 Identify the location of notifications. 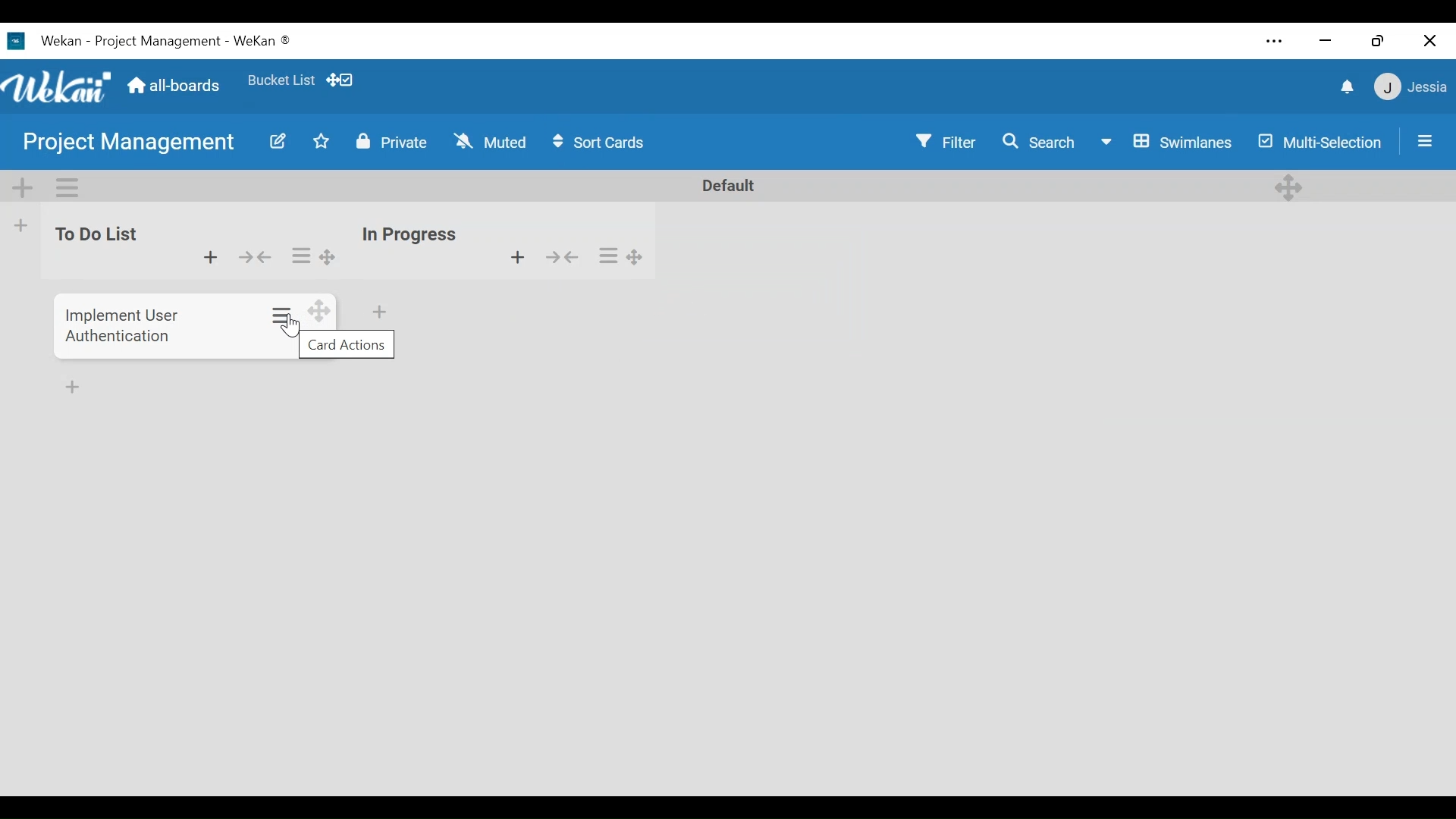
(1345, 88).